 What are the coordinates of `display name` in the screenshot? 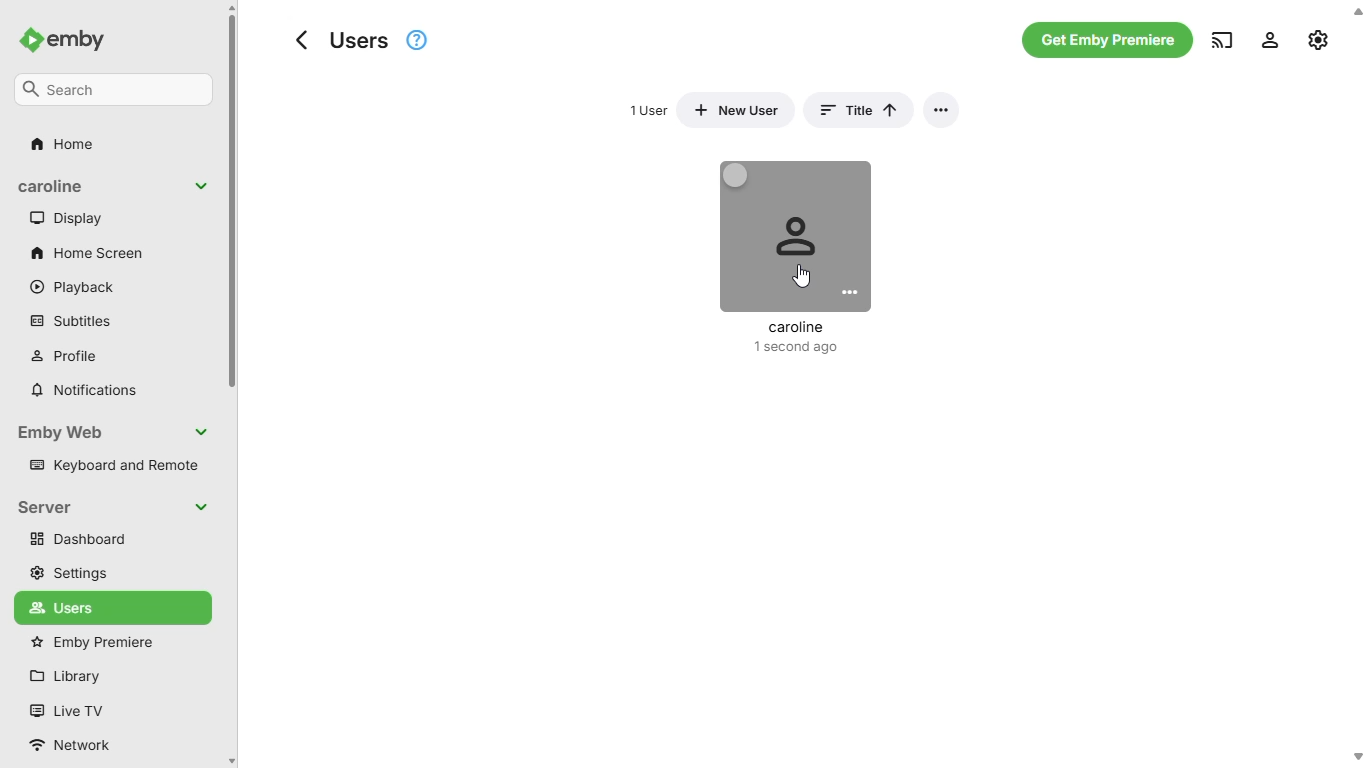 It's located at (114, 186).